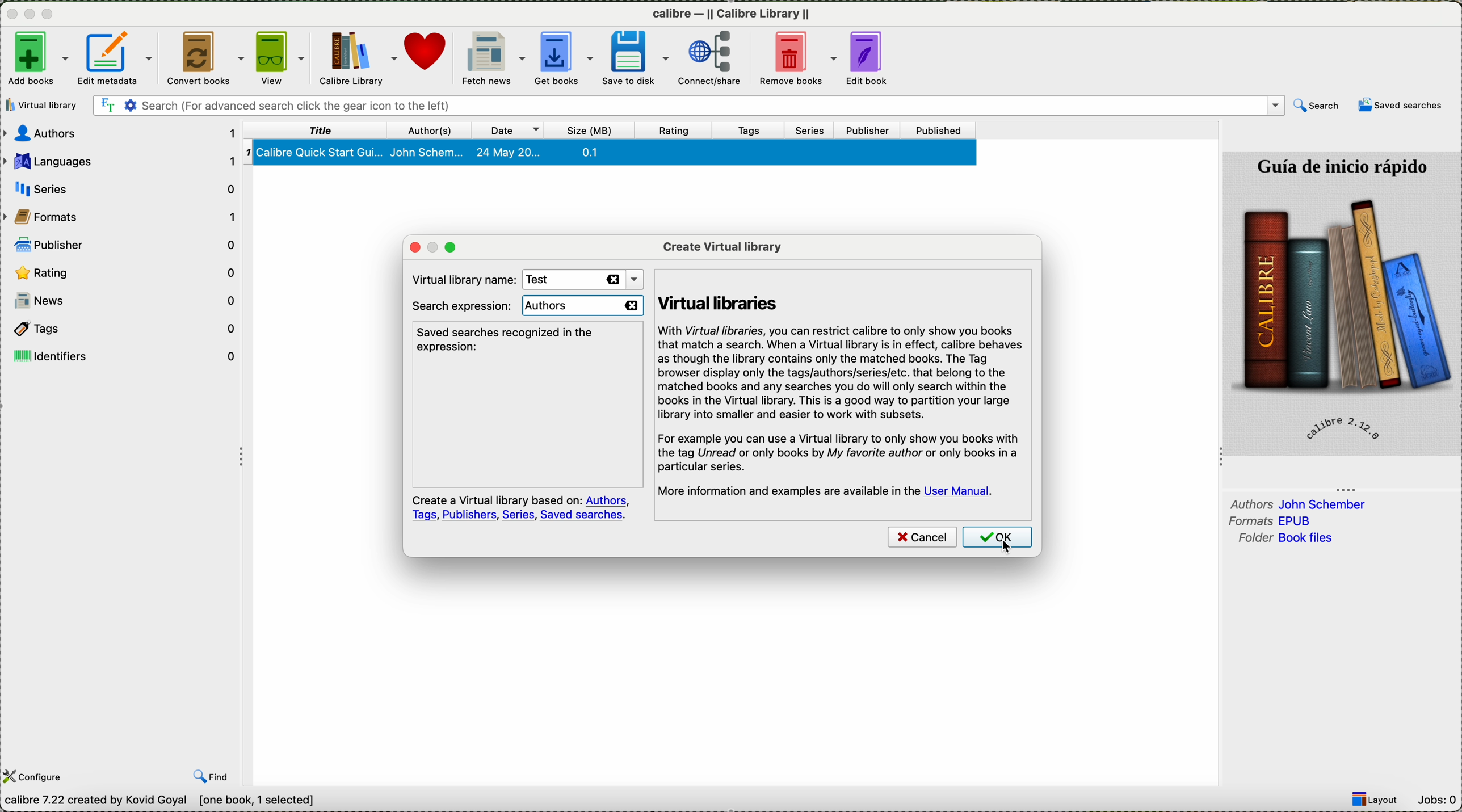 Image resolution: width=1462 pixels, height=812 pixels. What do you see at coordinates (722, 245) in the screenshot?
I see `create virtual library` at bounding box center [722, 245].